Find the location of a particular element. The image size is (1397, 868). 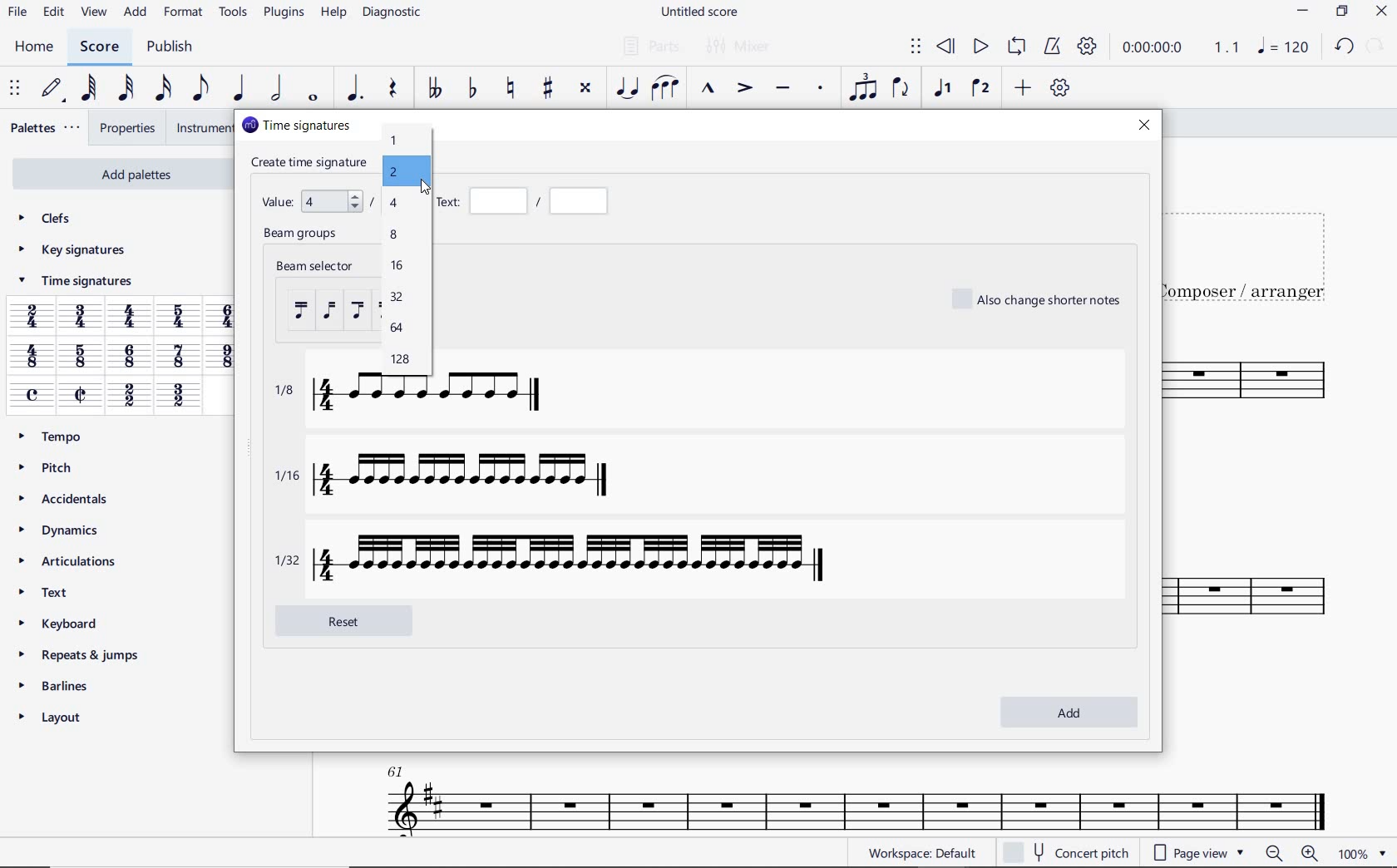

SCORE is located at coordinates (99, 47).